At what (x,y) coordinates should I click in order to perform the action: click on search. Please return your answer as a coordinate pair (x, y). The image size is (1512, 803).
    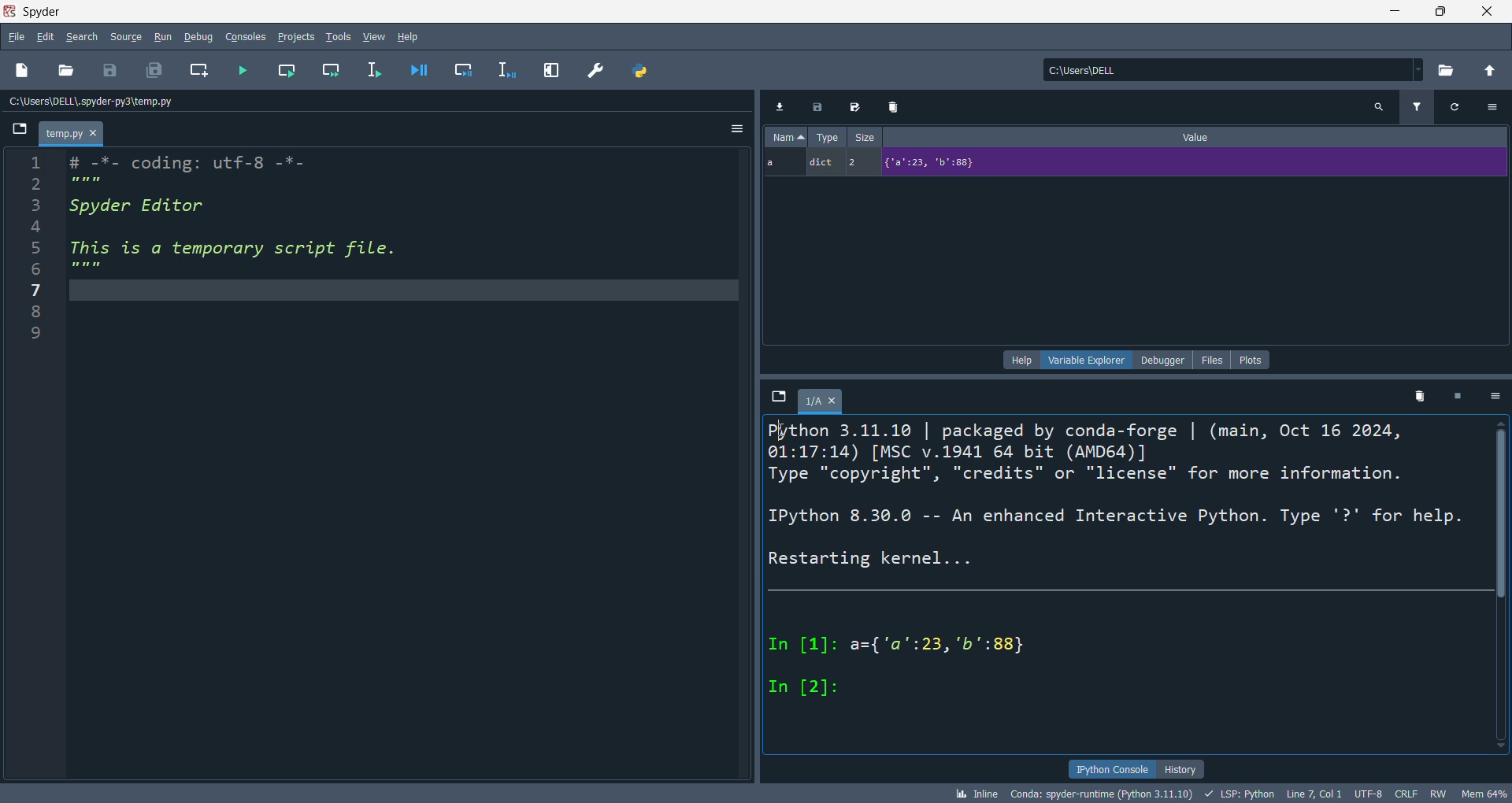
    Looking at the image, I should click on (1381, 107).